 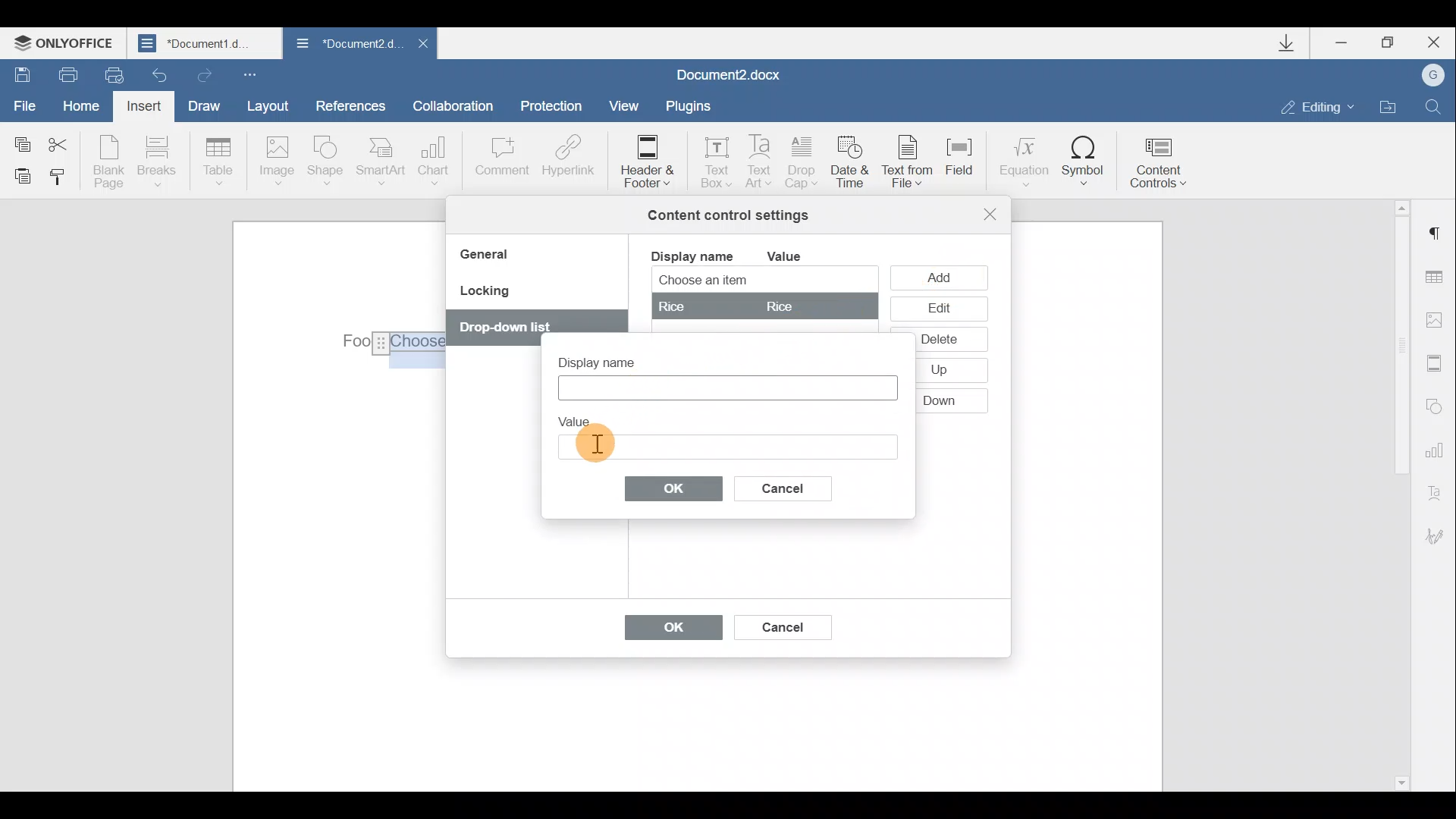 I want to click on Cursor, so click(x=597, y=447).